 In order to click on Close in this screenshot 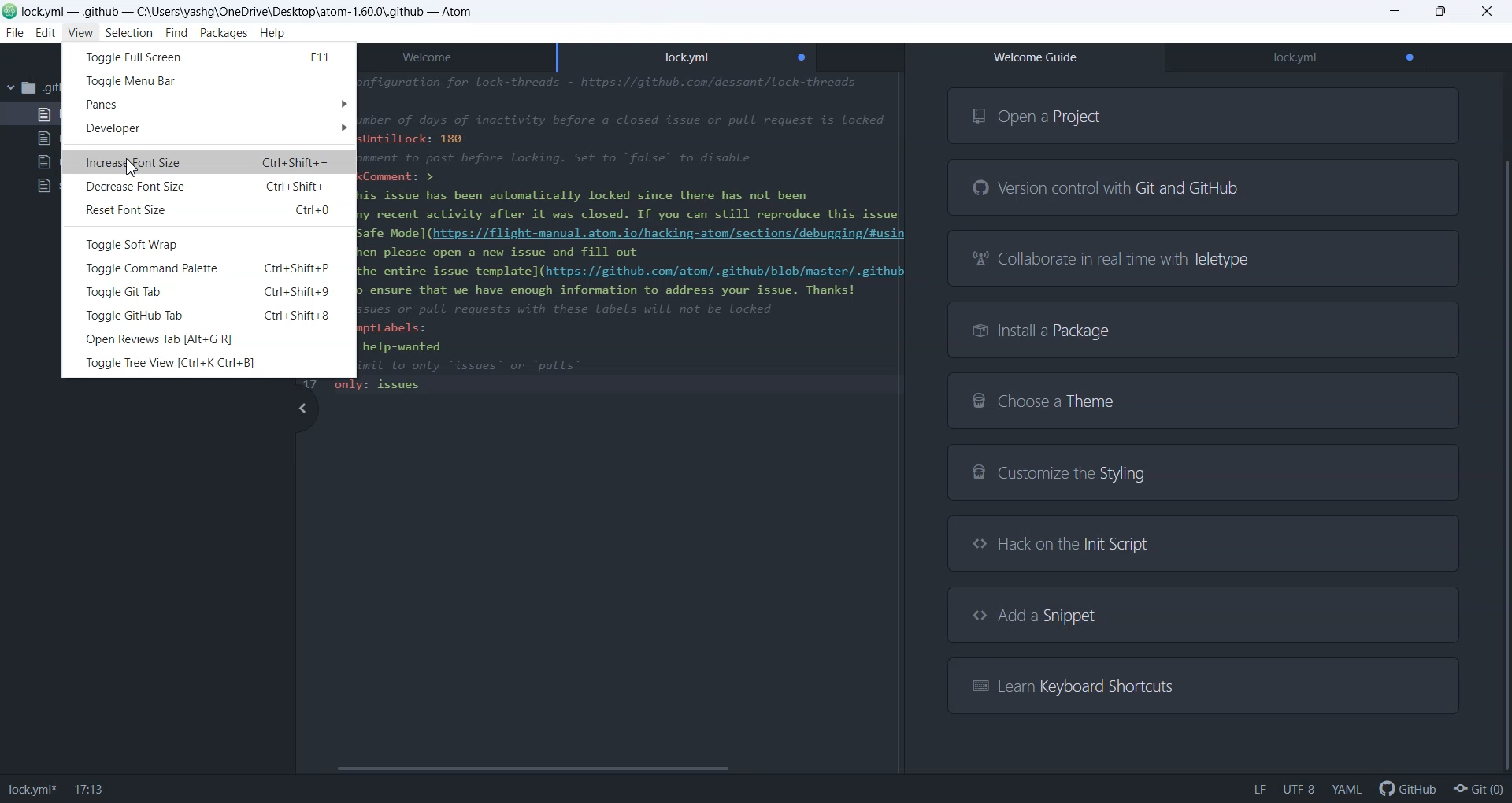, I will do `click(1488, 11)`.